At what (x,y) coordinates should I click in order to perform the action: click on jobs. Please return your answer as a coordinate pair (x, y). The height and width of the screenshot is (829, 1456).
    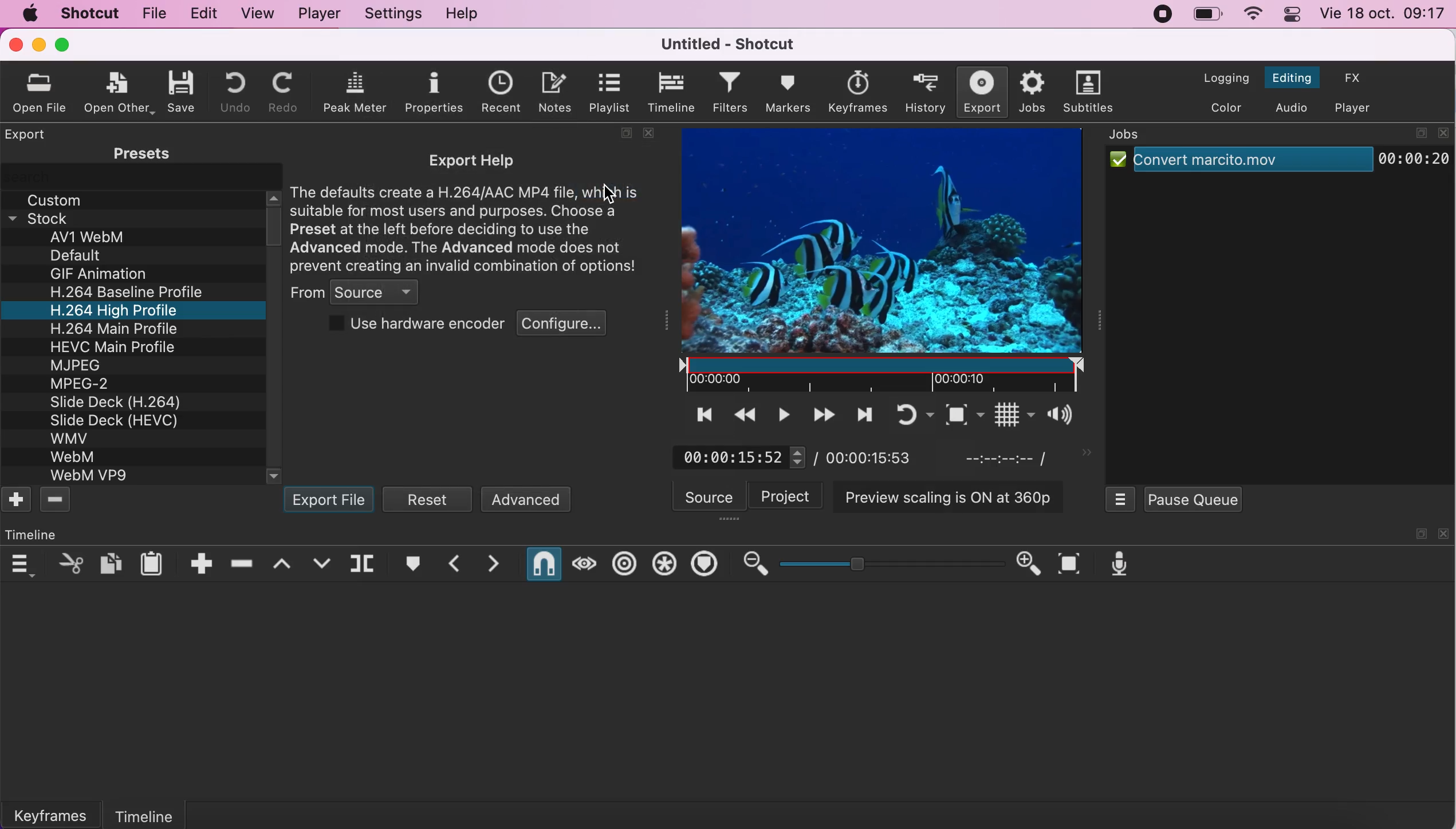
    Looking at the image, I should click on (1030, 92).